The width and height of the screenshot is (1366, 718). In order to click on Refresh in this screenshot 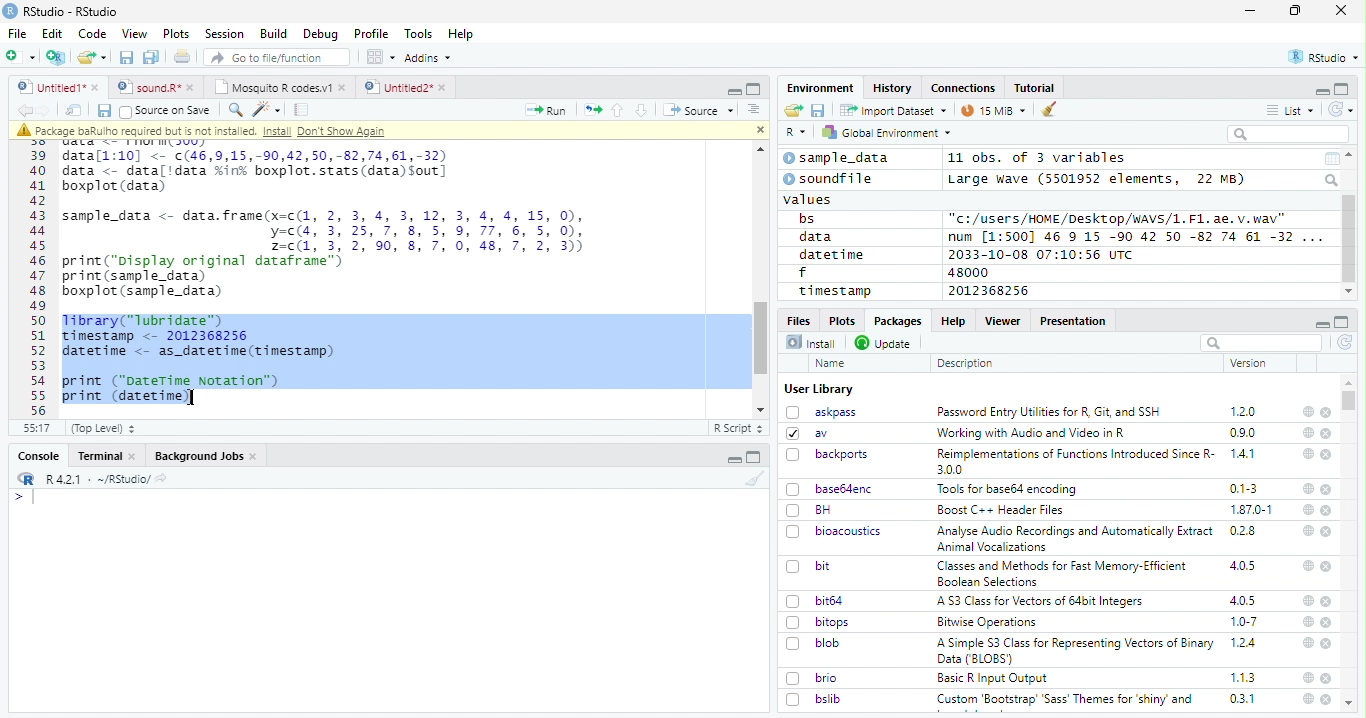, I will do `click(1346, 344)`.